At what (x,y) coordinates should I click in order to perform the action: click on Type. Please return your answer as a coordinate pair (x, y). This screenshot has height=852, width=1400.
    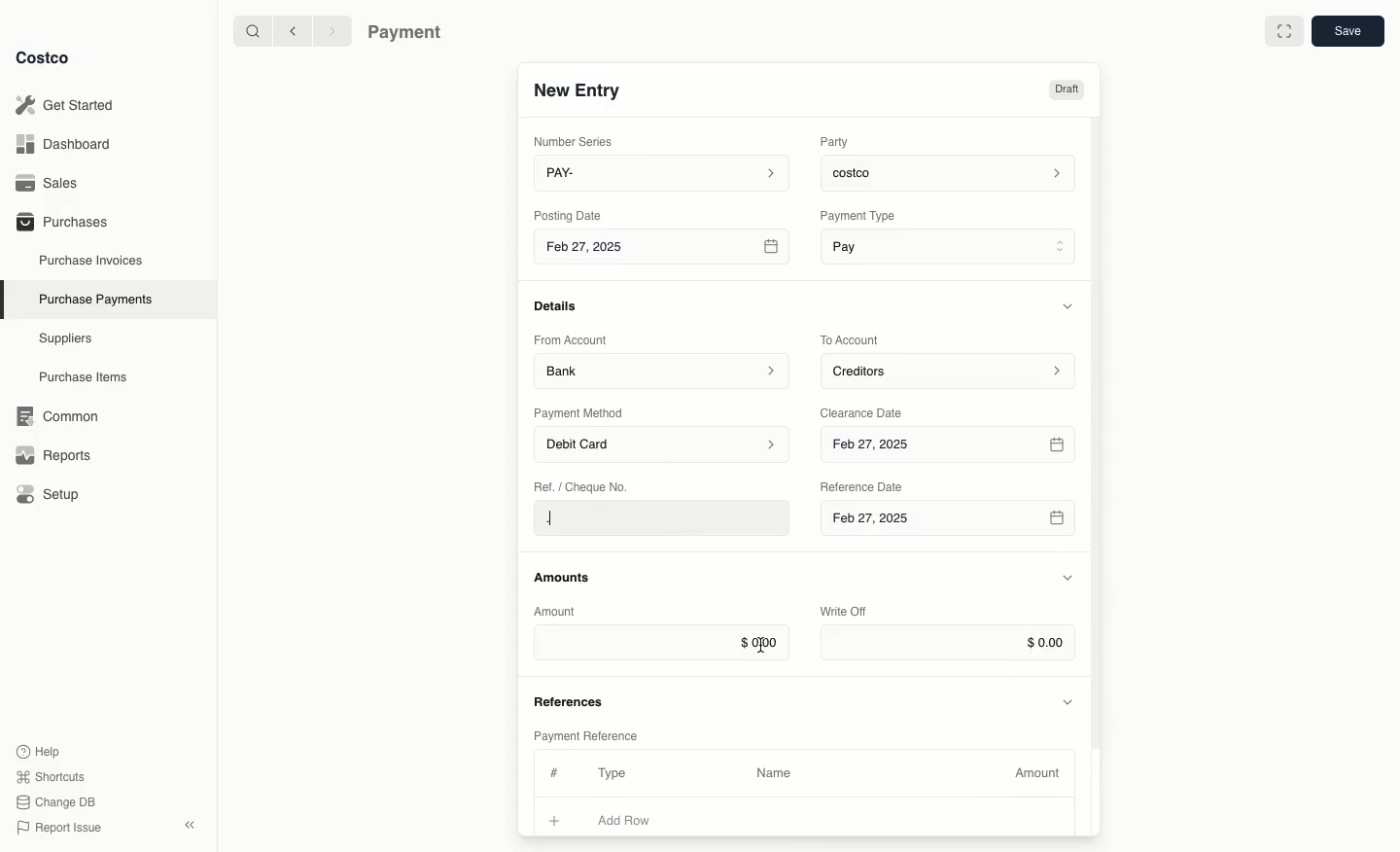
    Looking at the image, I should click on (616, 773).